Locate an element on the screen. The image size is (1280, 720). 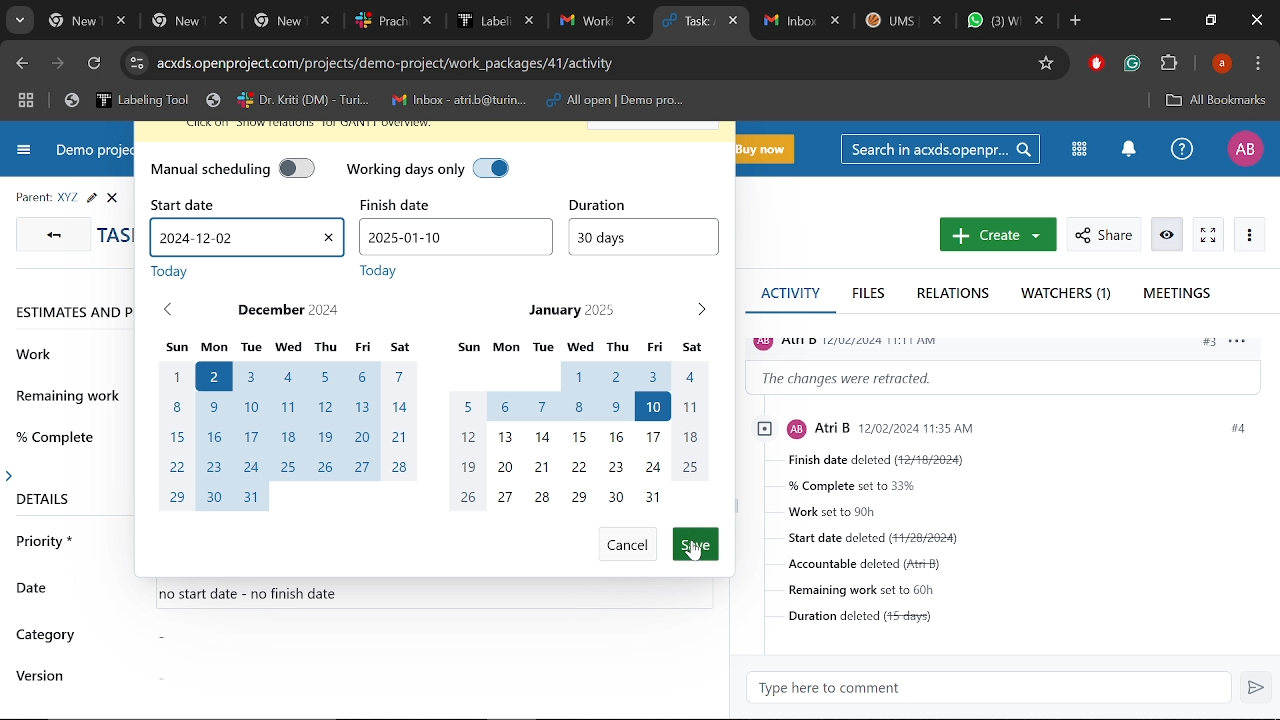
Cite info is located at coordinates (137, 64).